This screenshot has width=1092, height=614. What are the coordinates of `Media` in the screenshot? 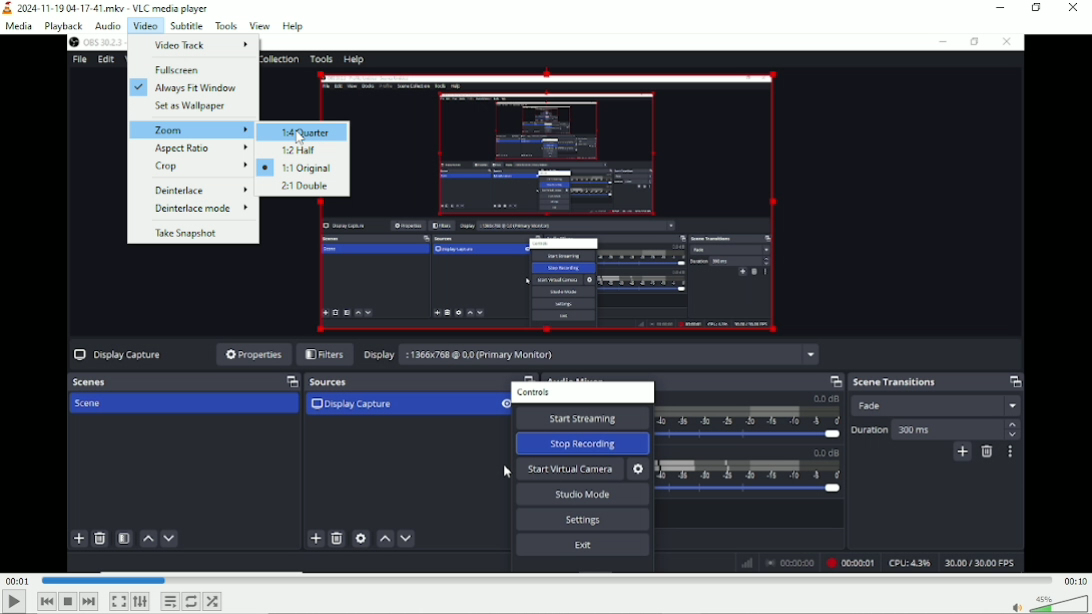 It's located at (18, 28).